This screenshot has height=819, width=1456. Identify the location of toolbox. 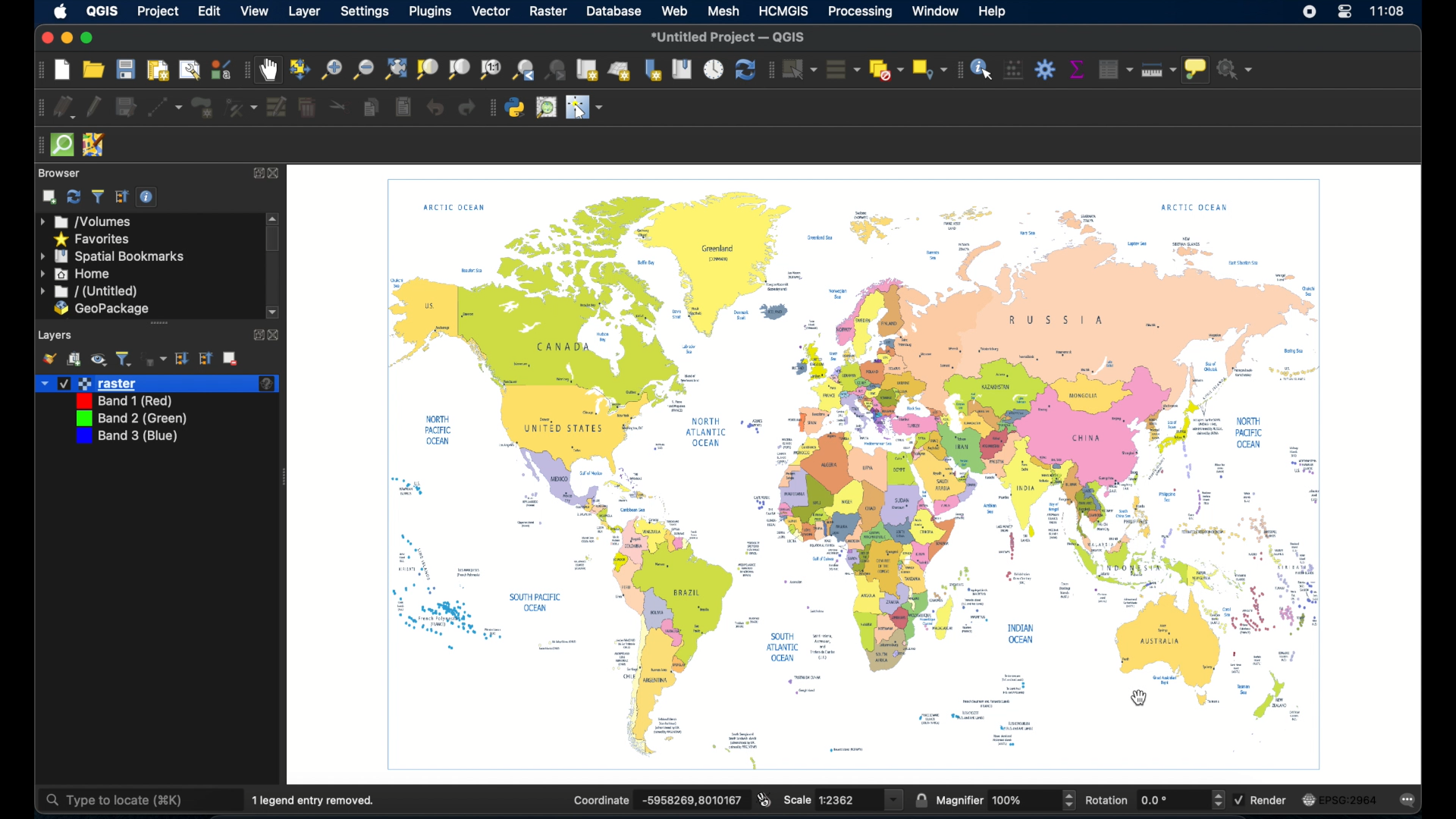
(1046, 69).